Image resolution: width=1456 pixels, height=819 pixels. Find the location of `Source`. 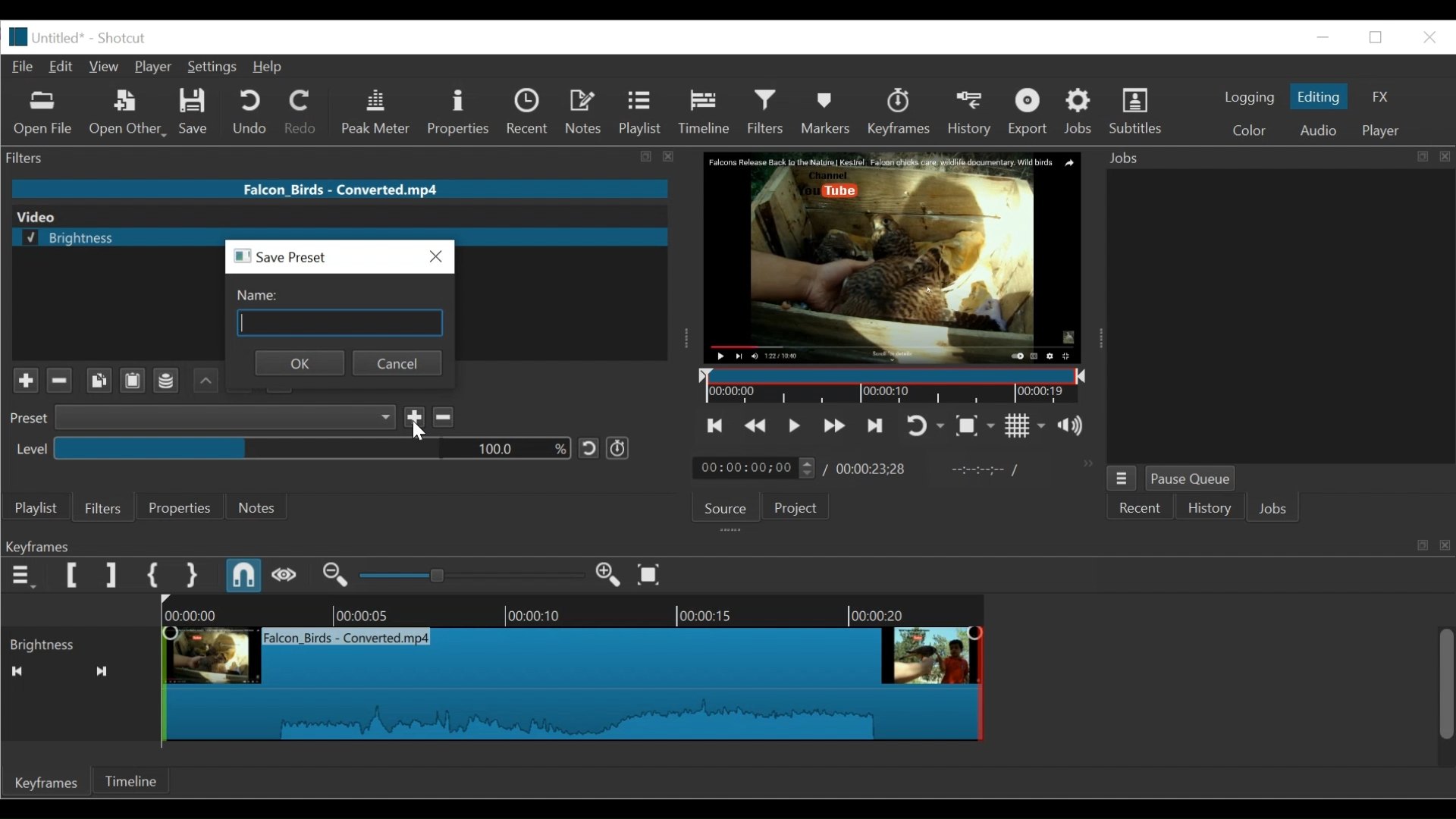

Source is located at coordinates (726, 508).